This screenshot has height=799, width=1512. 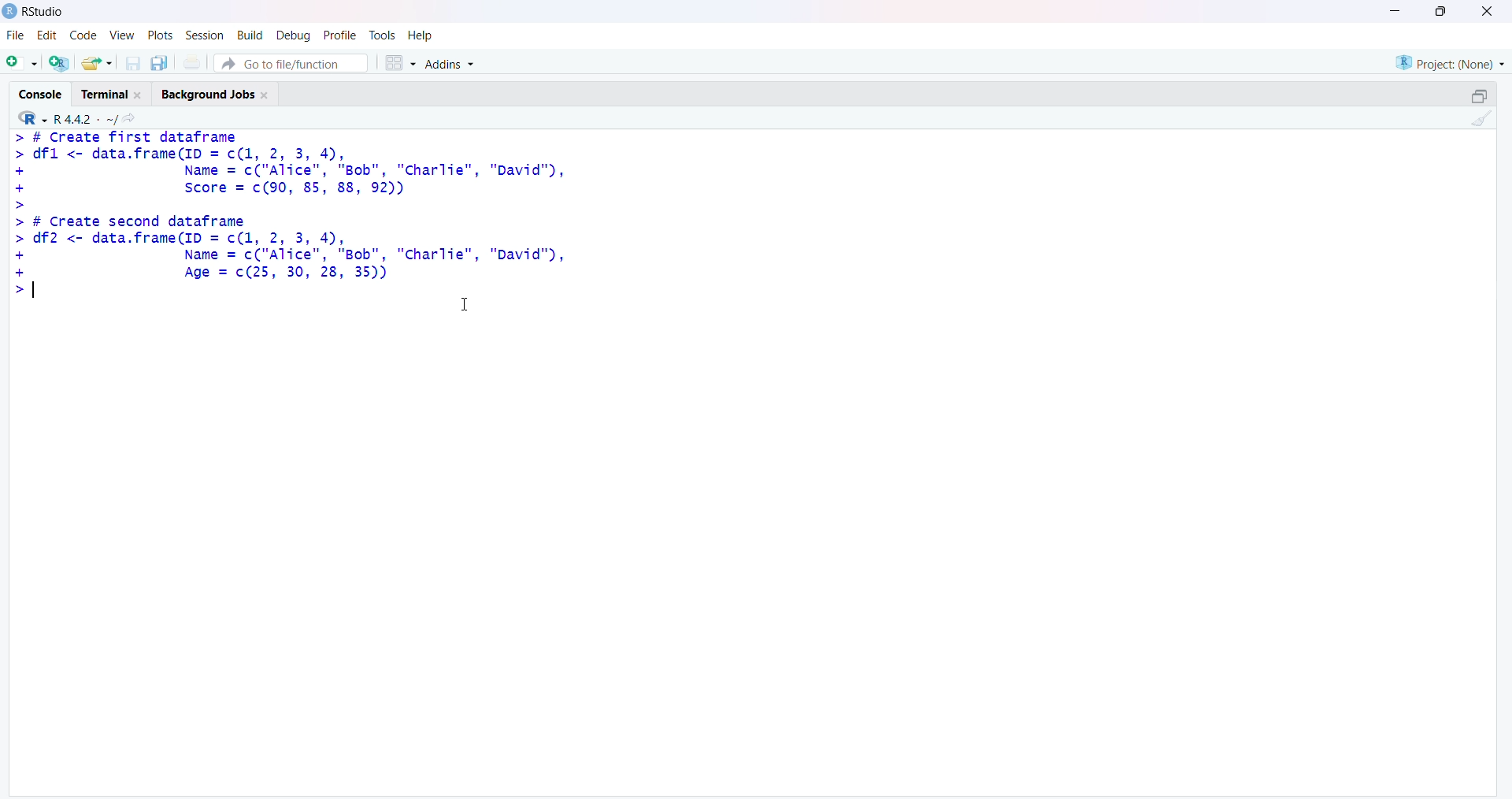 I want to click on copy, so click(x=159, y=63).